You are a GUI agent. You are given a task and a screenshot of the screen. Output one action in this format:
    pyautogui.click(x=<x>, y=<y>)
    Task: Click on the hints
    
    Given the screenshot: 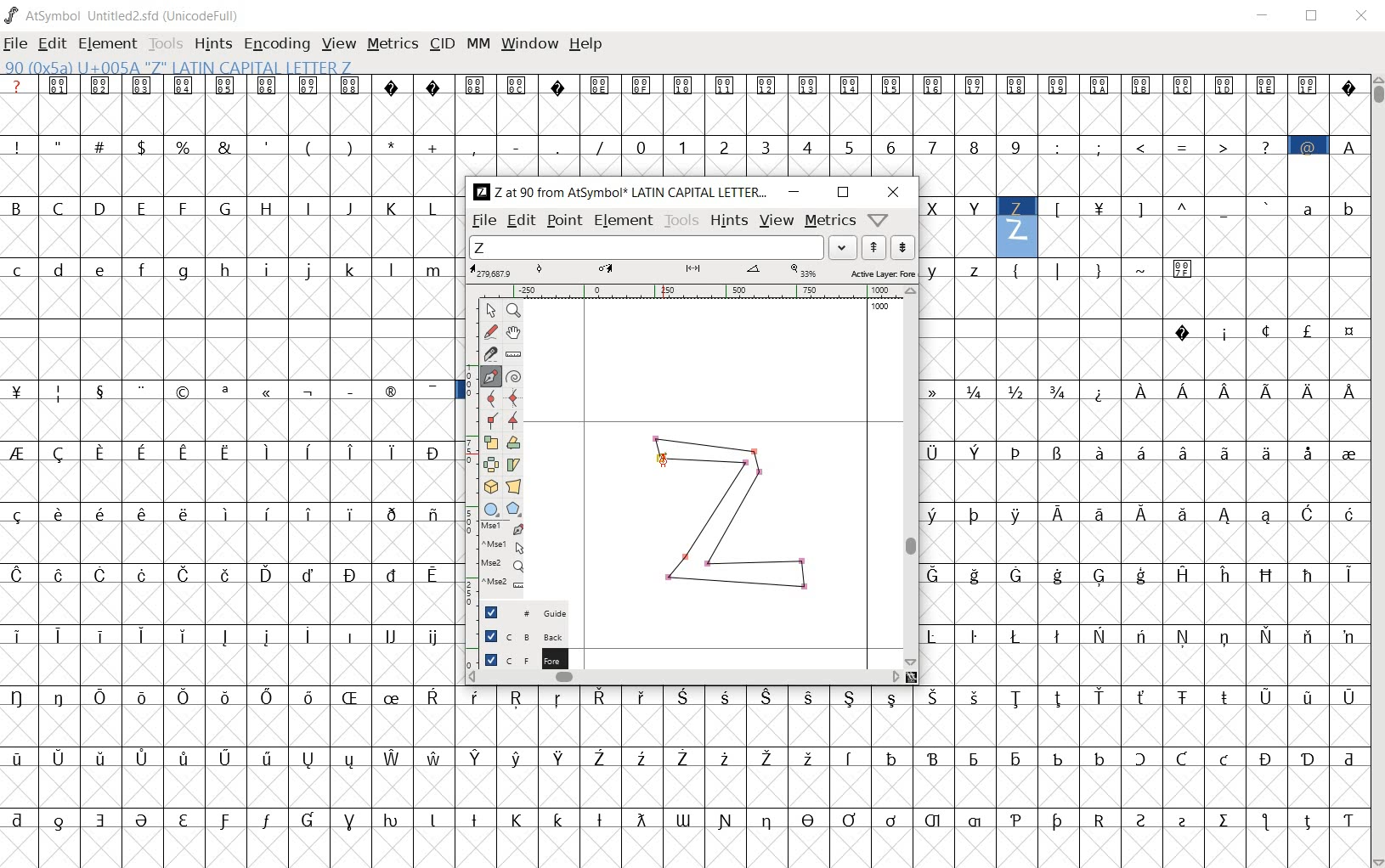 What is the action you would take?
    pyautogui.click(x=728, y=222)
    